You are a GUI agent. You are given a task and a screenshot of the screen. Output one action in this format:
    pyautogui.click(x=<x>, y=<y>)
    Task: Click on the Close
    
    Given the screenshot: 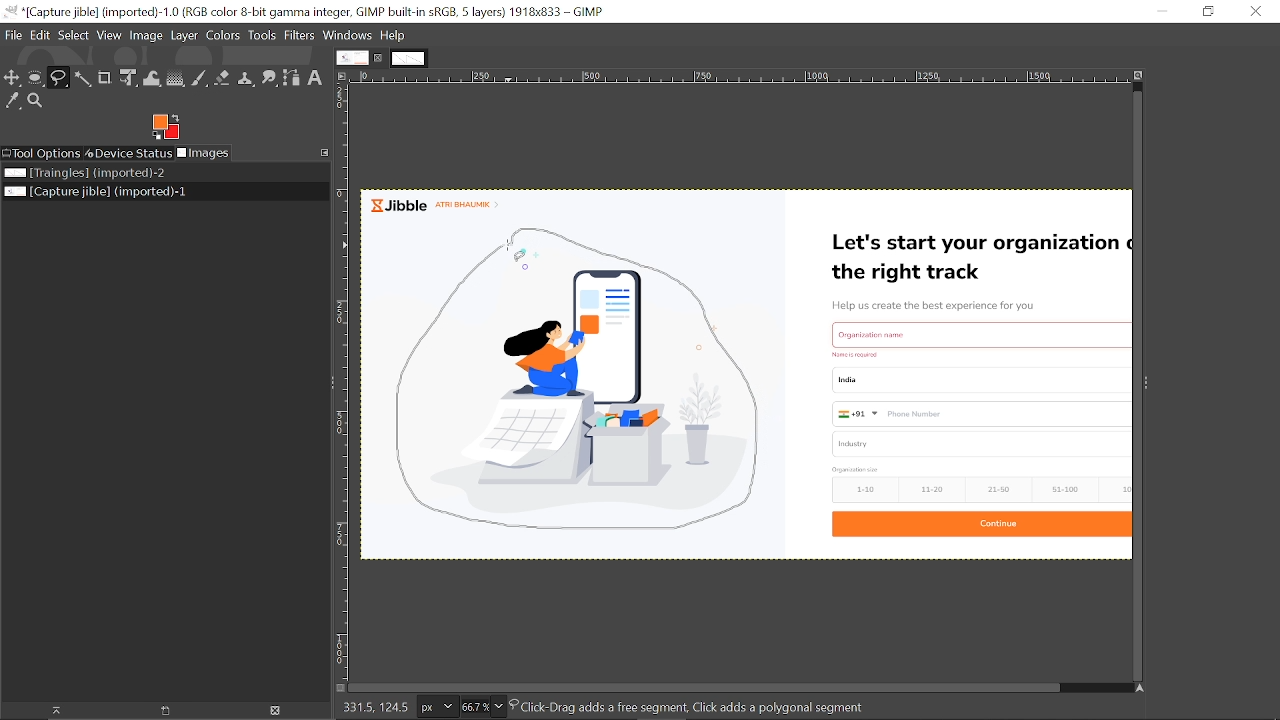 What is the action you would take?
    pyautogui.click(x=1258, y=13)
    